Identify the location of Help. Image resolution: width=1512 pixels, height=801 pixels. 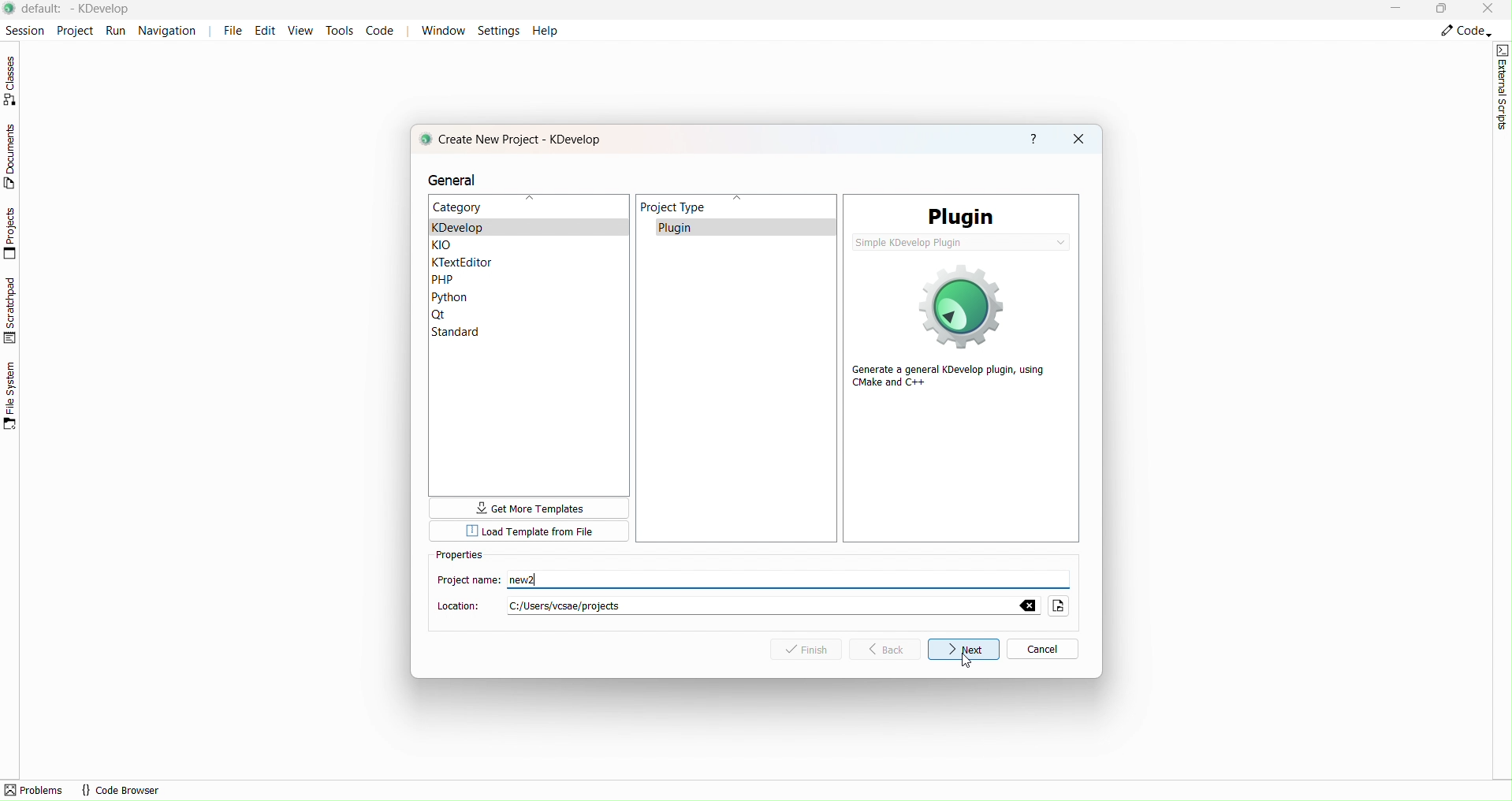
(545, 30).